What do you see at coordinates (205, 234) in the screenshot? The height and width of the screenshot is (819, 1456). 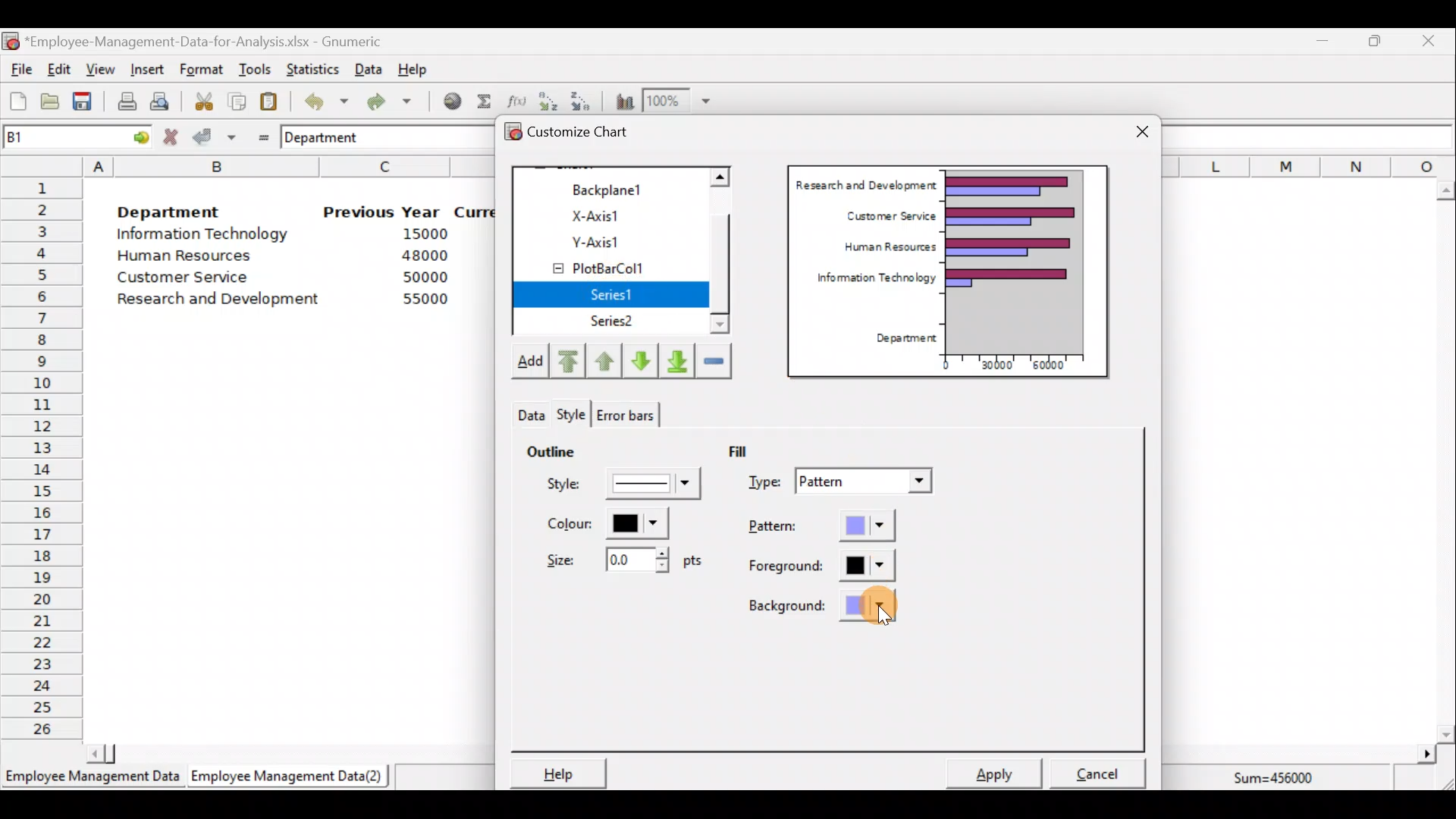 I see `Information Technology` at bounding box center [205, 234].